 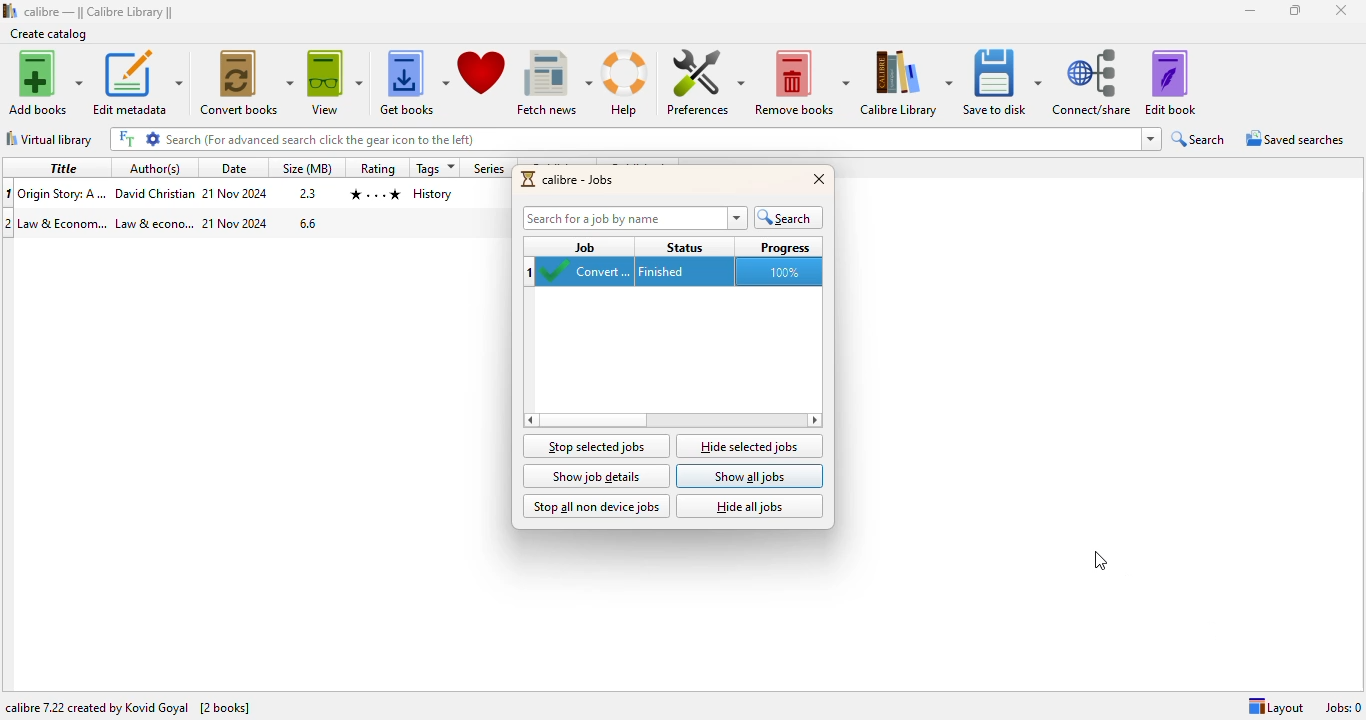 What do you see at coordinates (1100, 562) in the screenshot?
I see `cursor` at bounding box center [1100, 562].